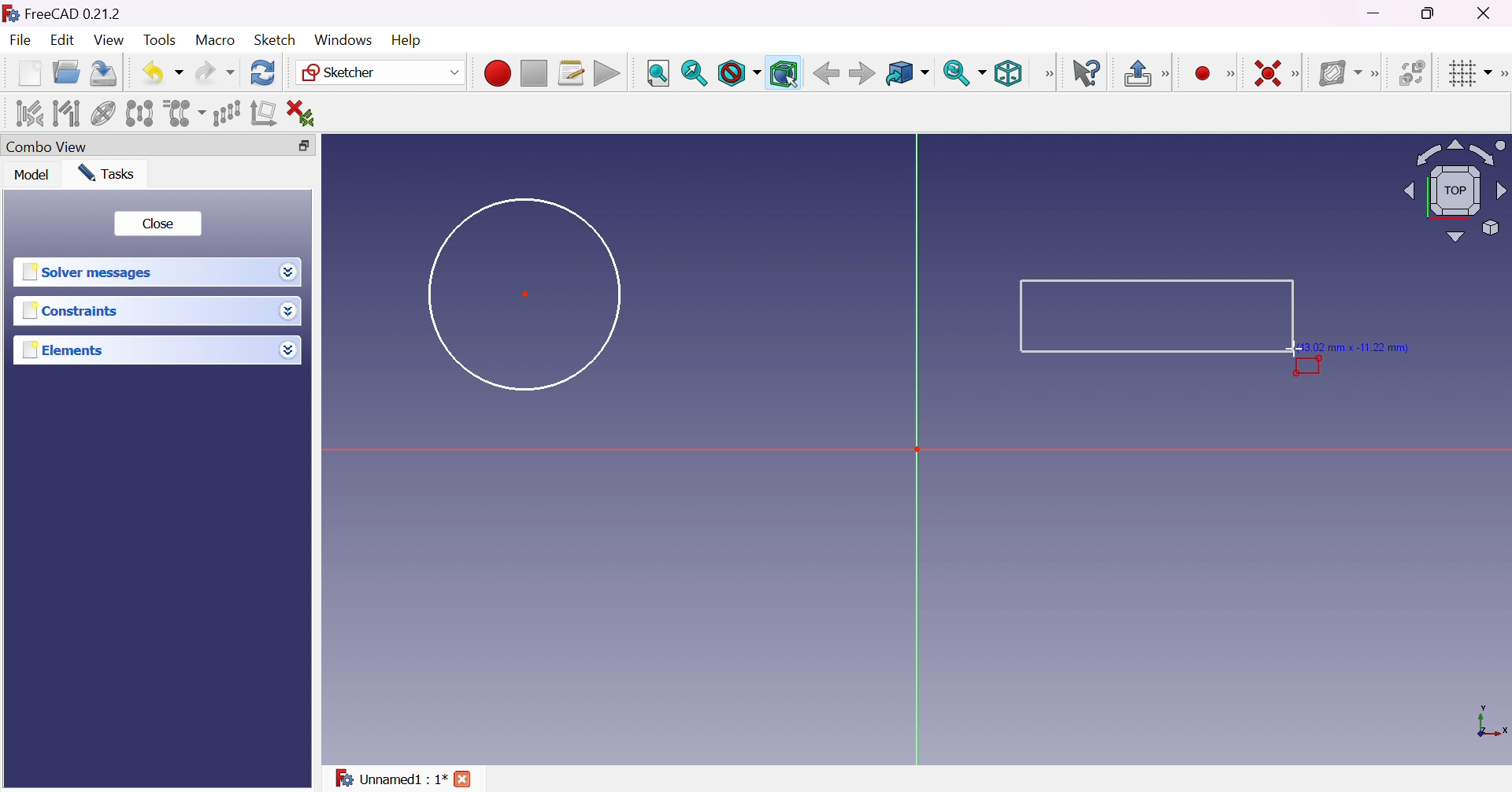 This screenshot has width=1512, height=792. What do you see at coordinates (46, 148) in the screenshot?
I see `Combo view` at bounding box center [46, 148].